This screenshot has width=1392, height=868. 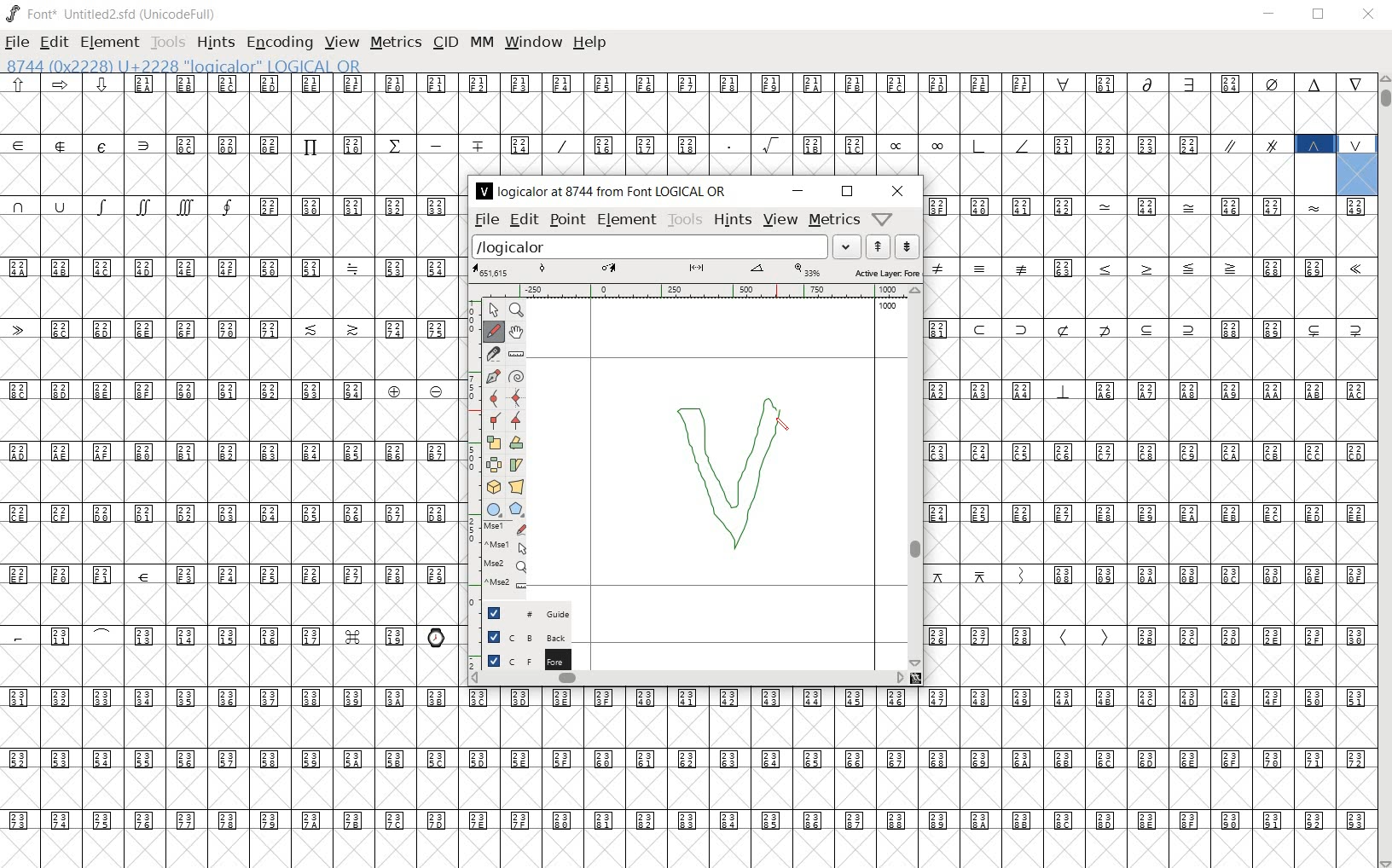 What do you see at coordinates (109, 42) in the screenshot?
I see `element` at bounding box center [109, 42].